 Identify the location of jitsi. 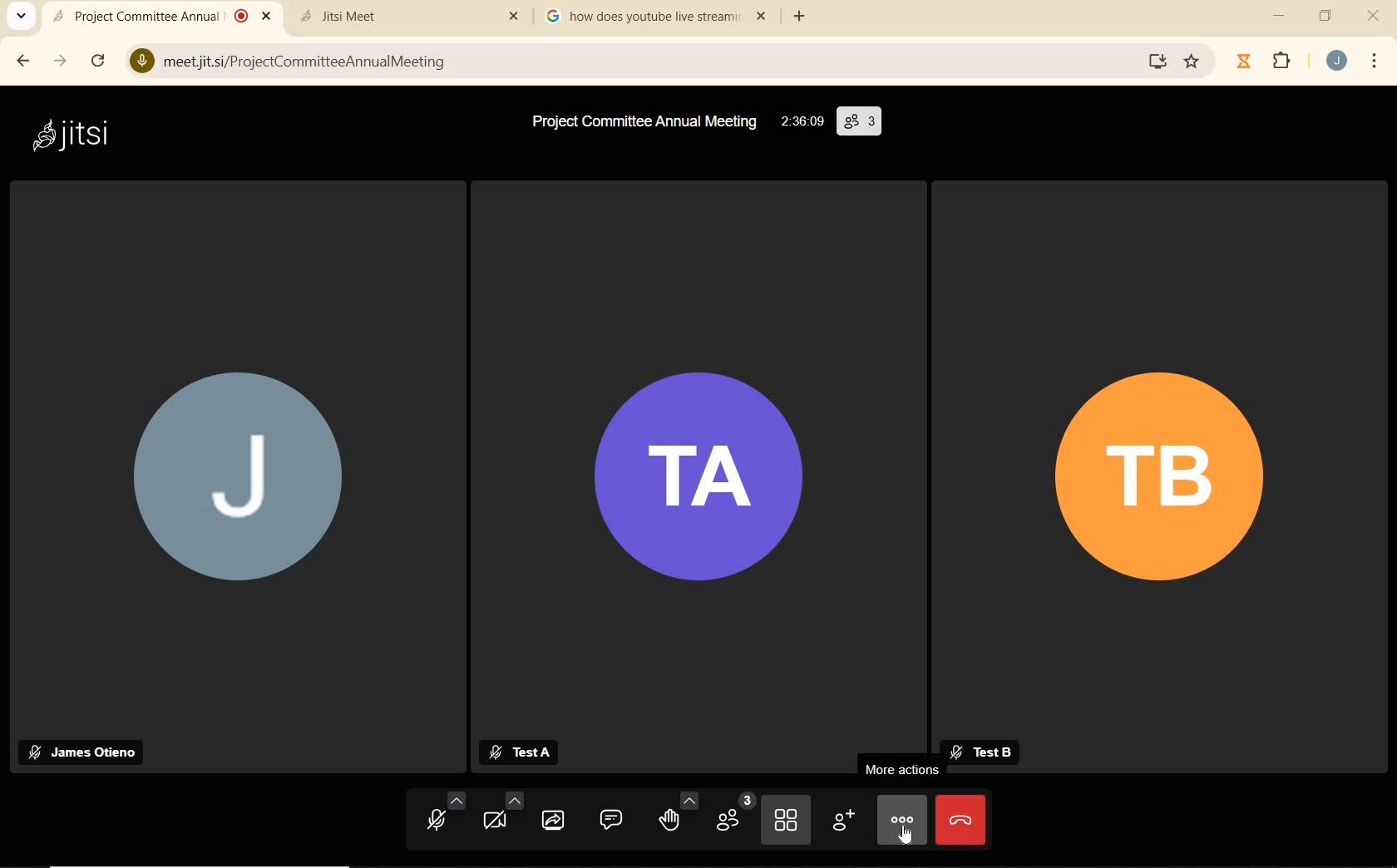
(77, 136).